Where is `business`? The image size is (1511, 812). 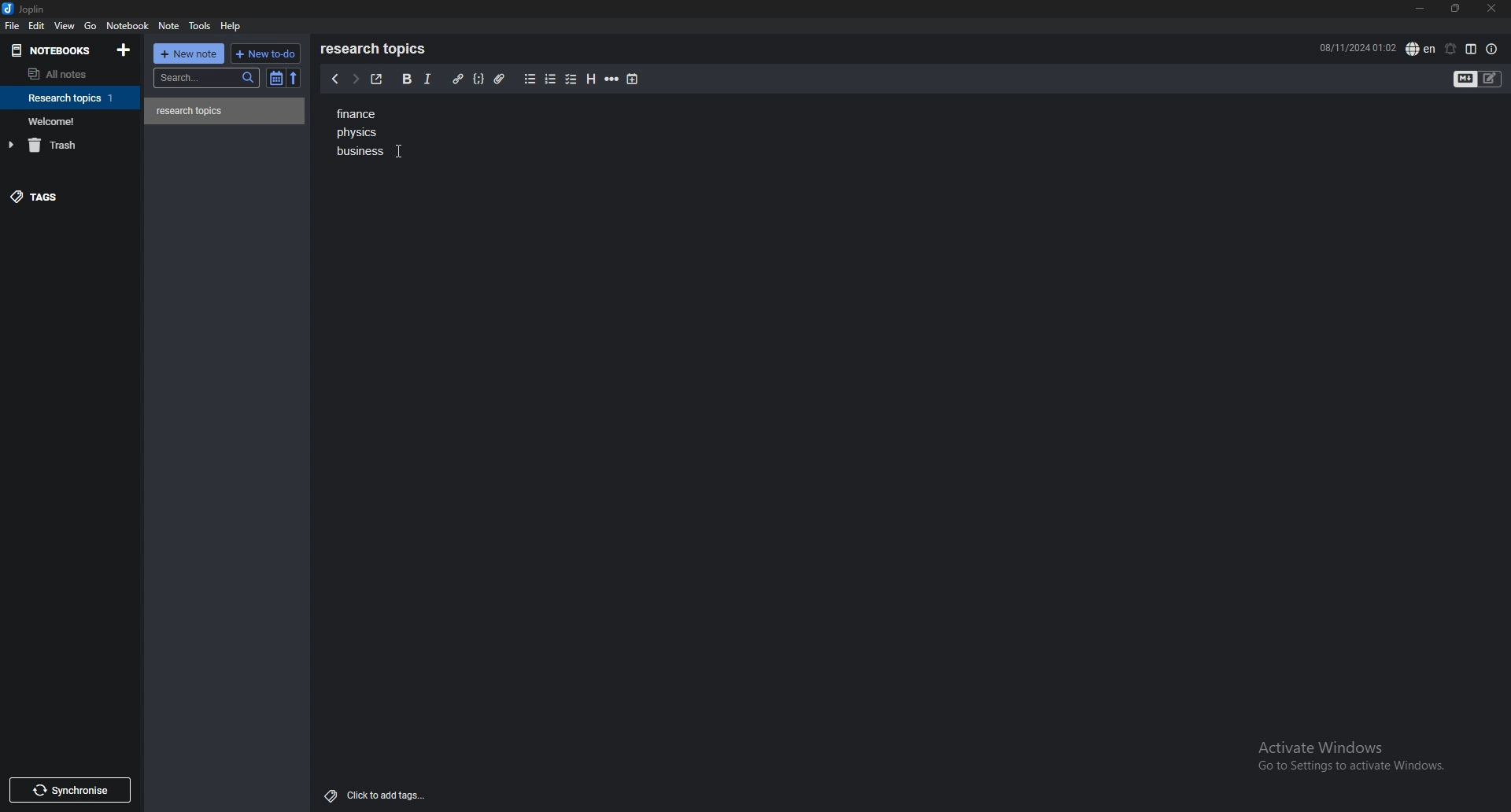 business is located at coordinates (357, 153).